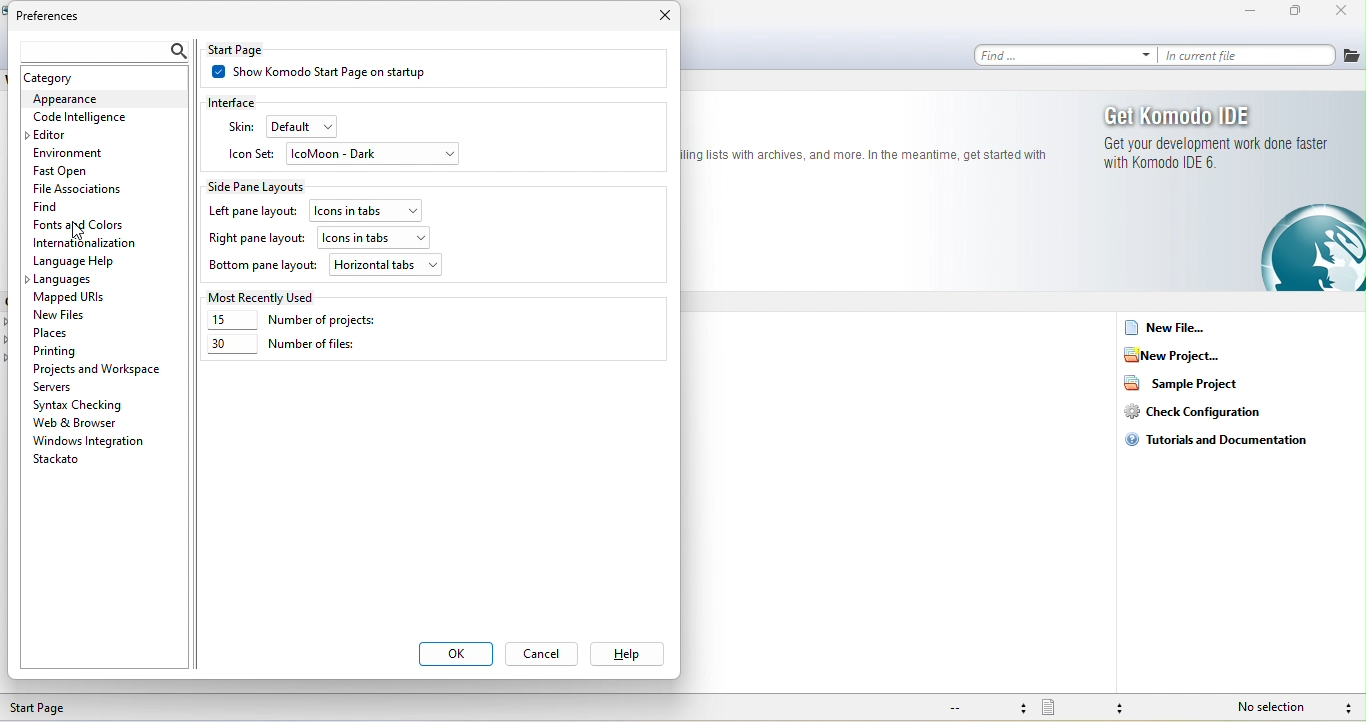 Image resolution: width=1366 pixels, height=722 pixels. What do you see at coordinates (1190, 387) in the screenshot?
I see `sample project` at bounding box center [1190, 387].